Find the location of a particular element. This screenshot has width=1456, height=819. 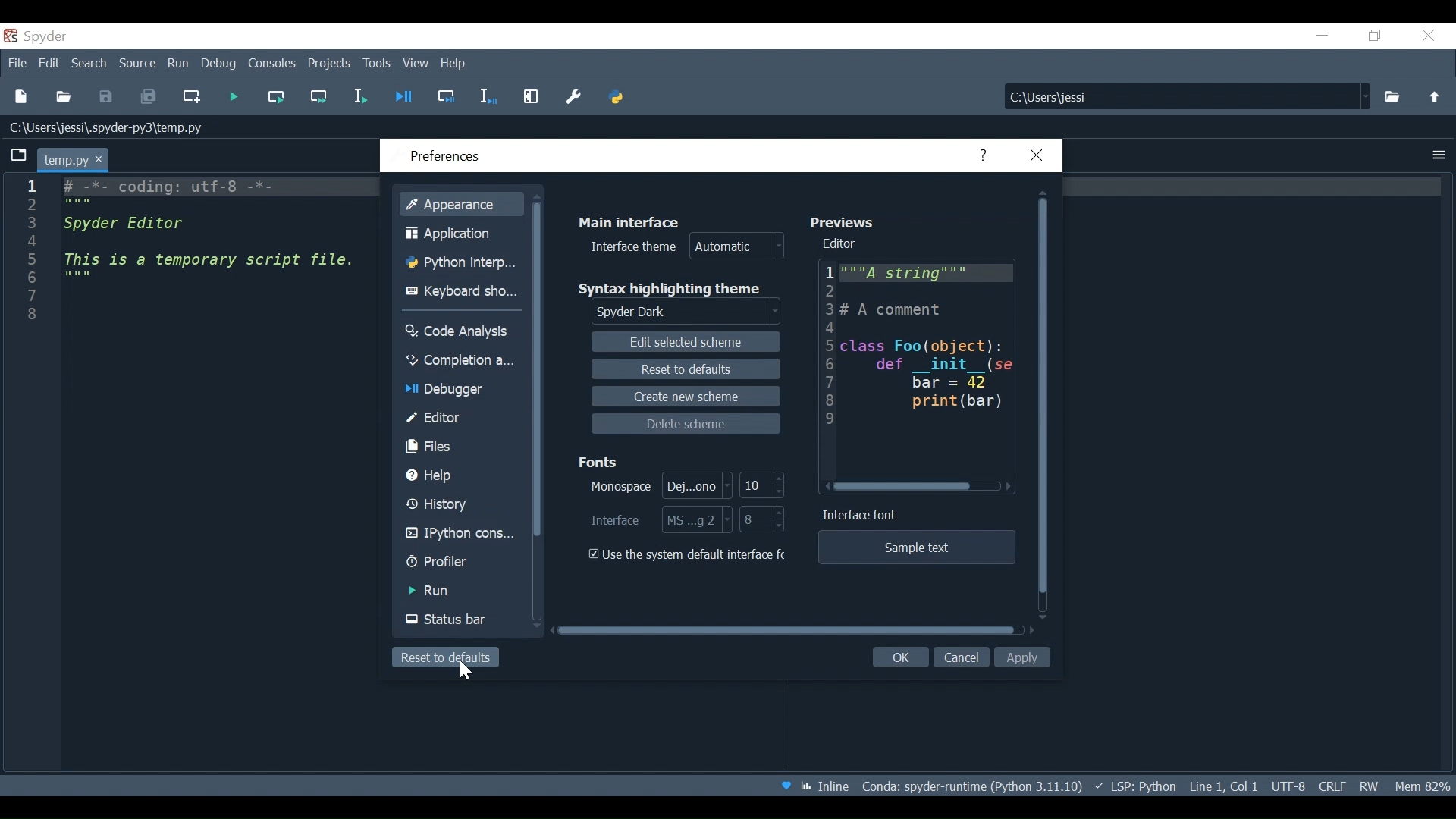

History is located at coordinates (461, 504).